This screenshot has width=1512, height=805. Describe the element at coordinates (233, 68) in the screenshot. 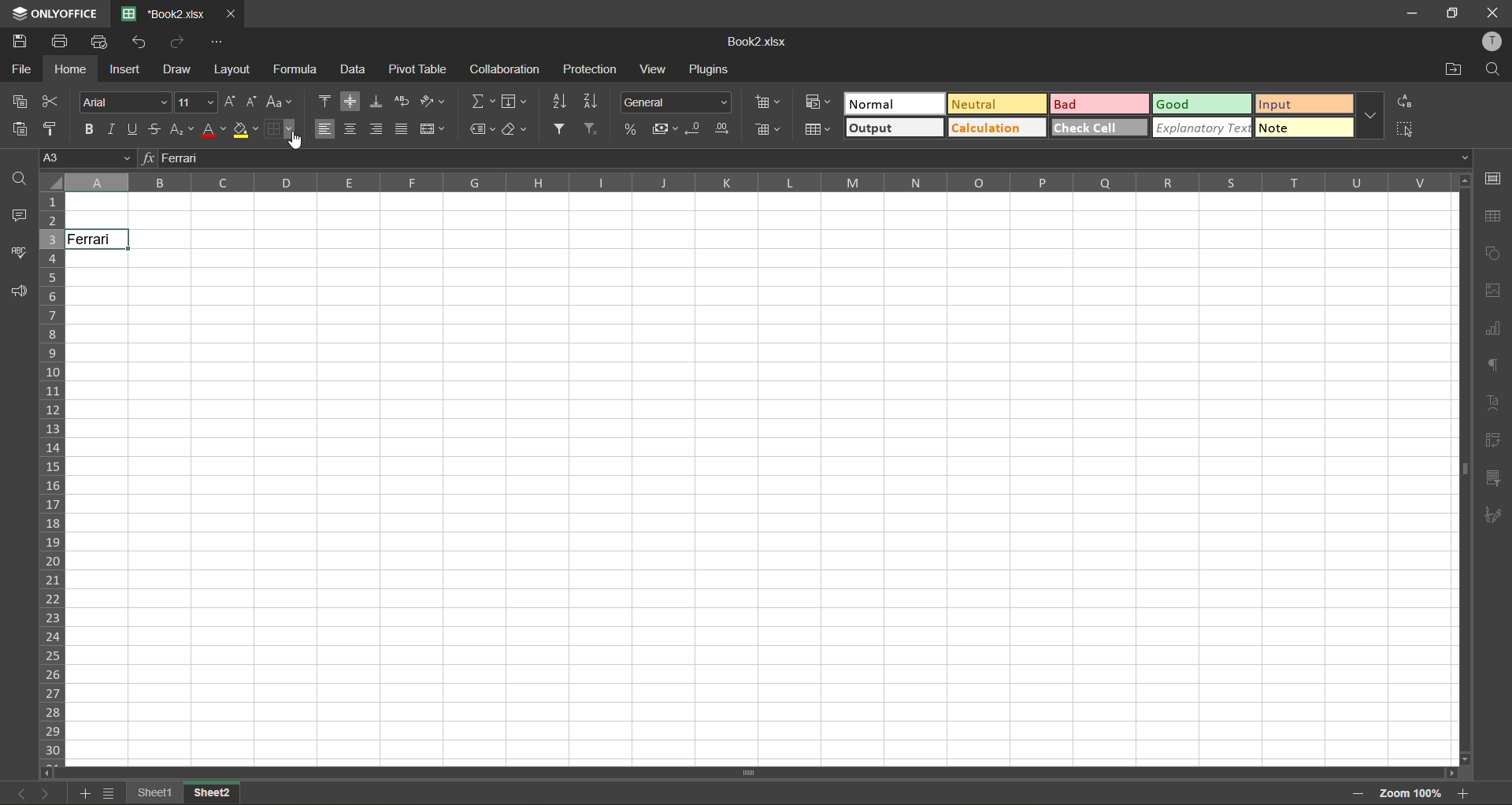

I see `layout` at that location.